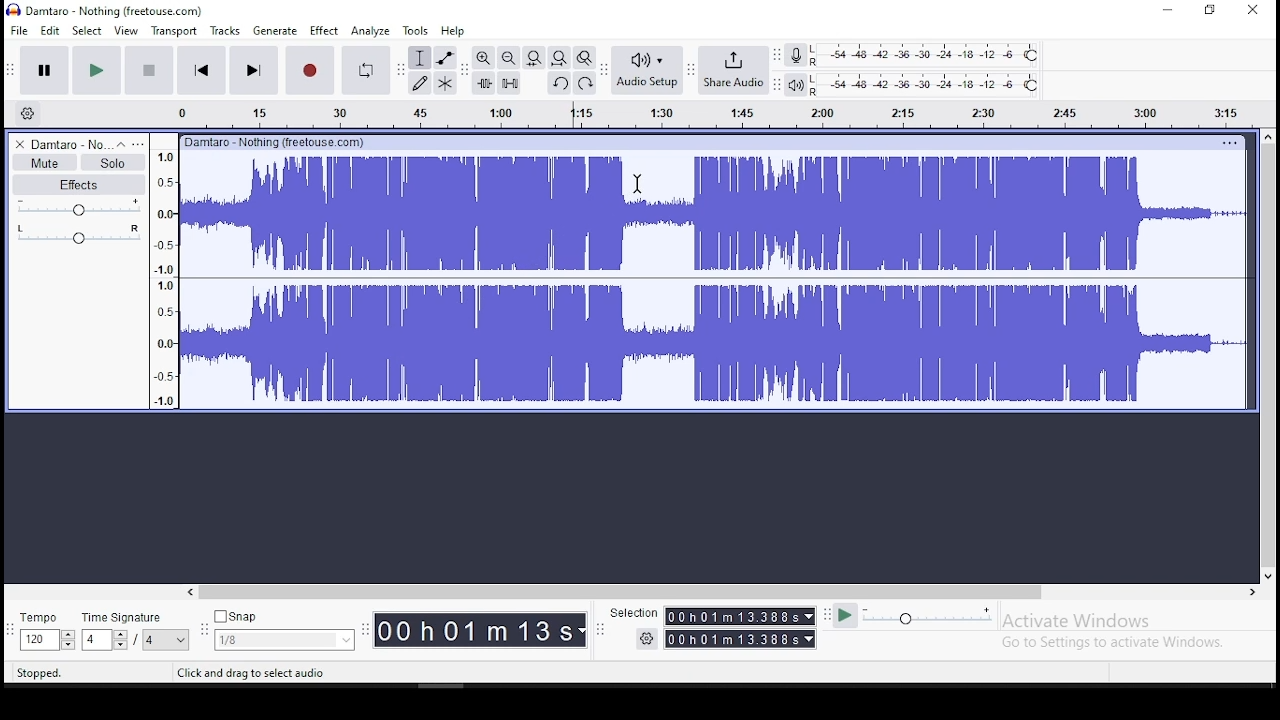  What do you see at coordinates (96, 70) in the screenshot?
I see `play` at bounding box center [96, 70].